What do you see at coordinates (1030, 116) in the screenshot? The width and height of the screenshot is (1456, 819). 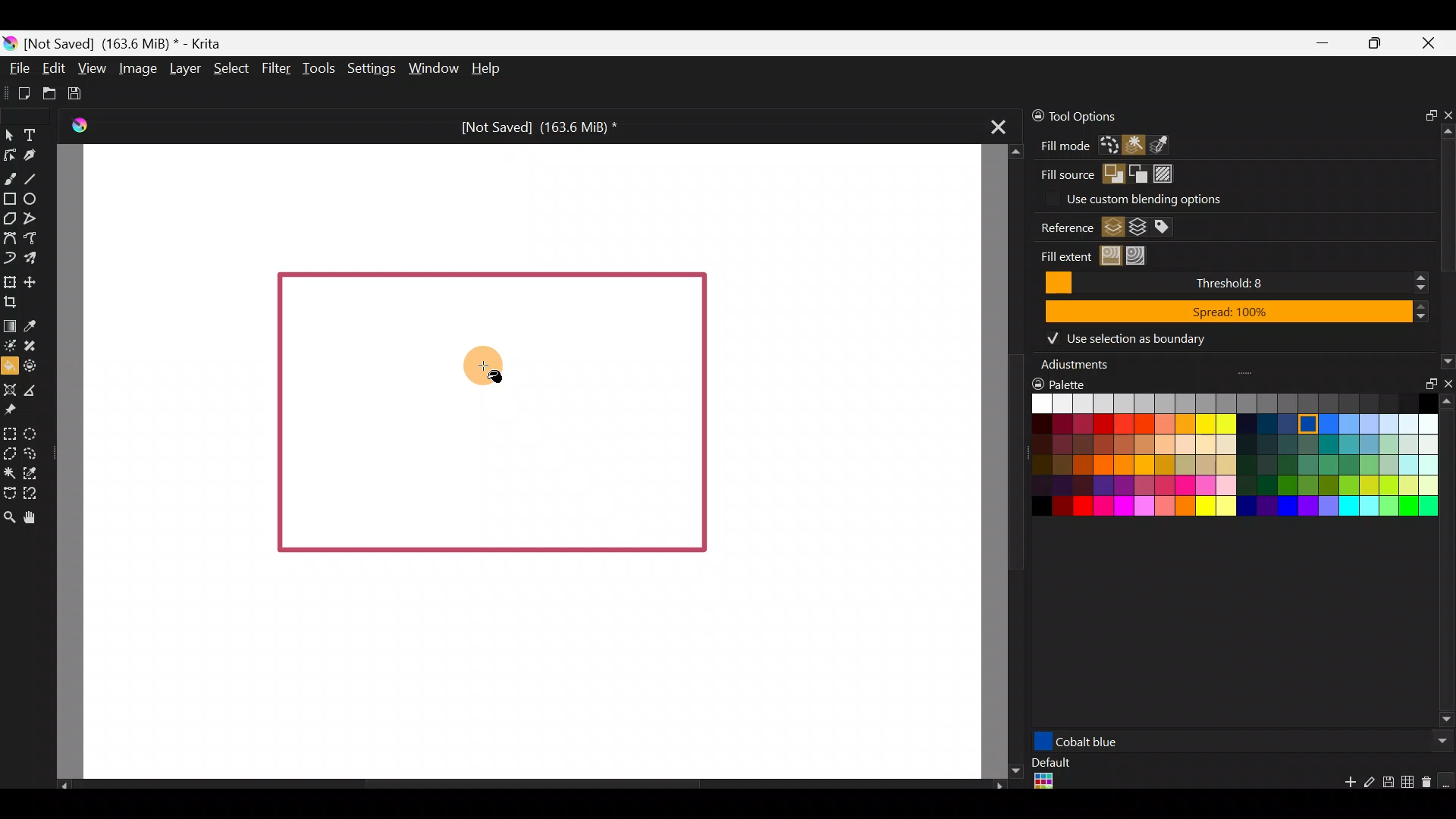 I see `Lock docker` at bounding box center [1030, 116].